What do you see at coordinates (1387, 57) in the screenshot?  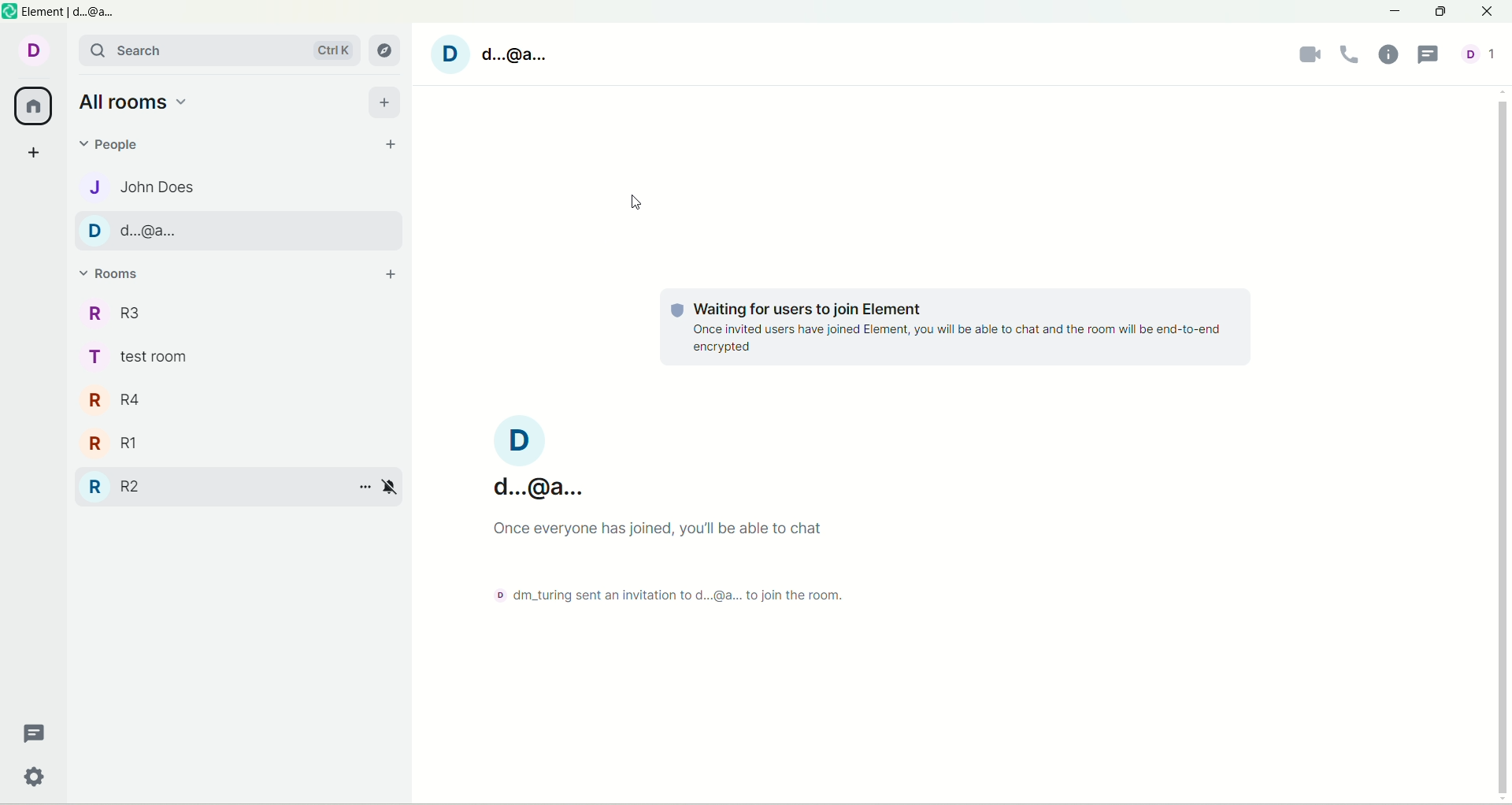 I see `room info` at bounding box center [1387, 57].